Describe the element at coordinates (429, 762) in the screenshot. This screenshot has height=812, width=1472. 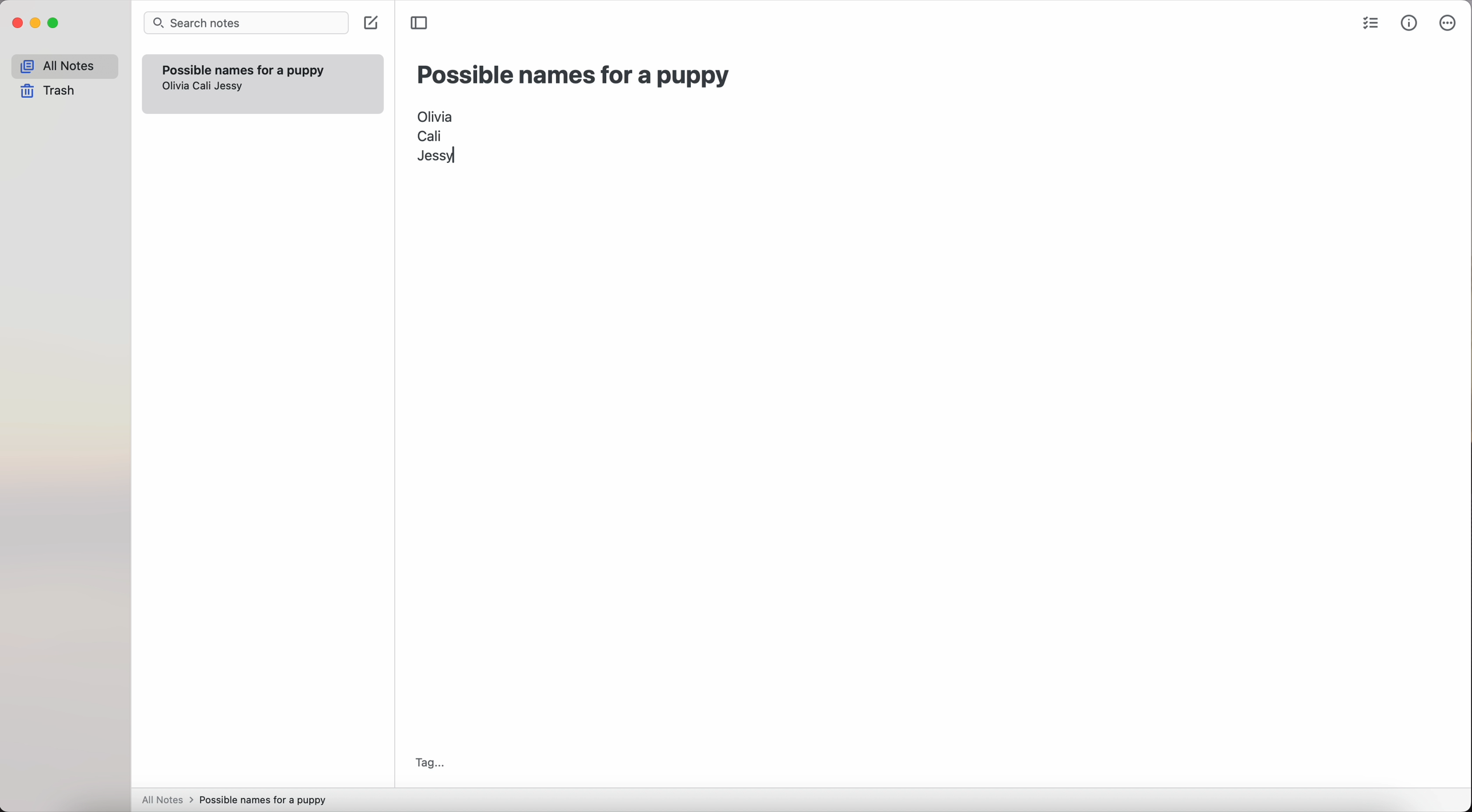
I see `tag` at that location.